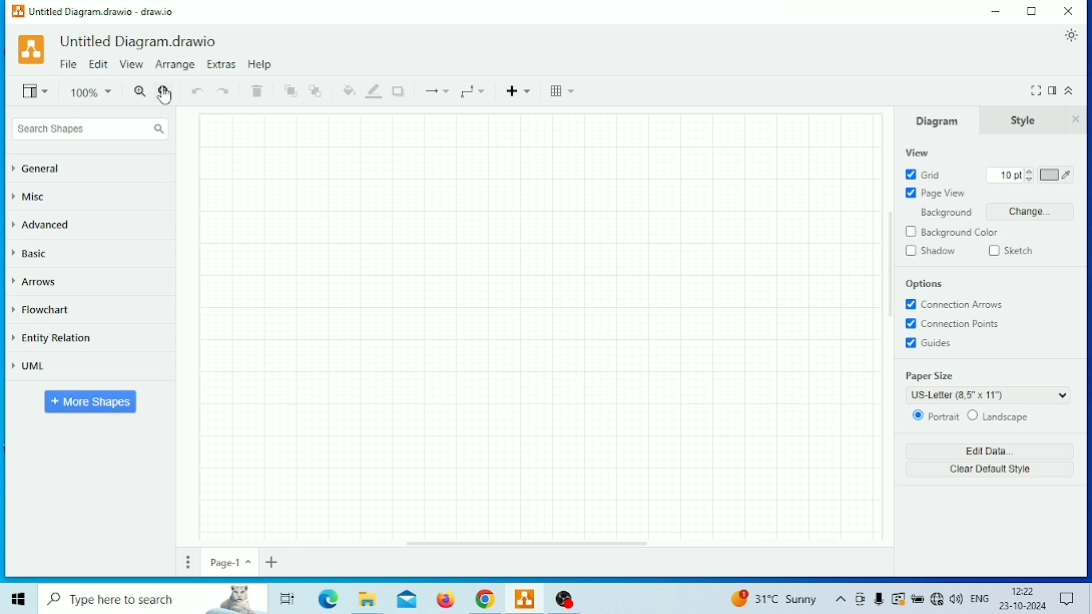 The height and width of the screenshot is (614, 1092). Describe the element at coordinates (953, 305) in the screenshot. I see `Connection Arrows` at that location.